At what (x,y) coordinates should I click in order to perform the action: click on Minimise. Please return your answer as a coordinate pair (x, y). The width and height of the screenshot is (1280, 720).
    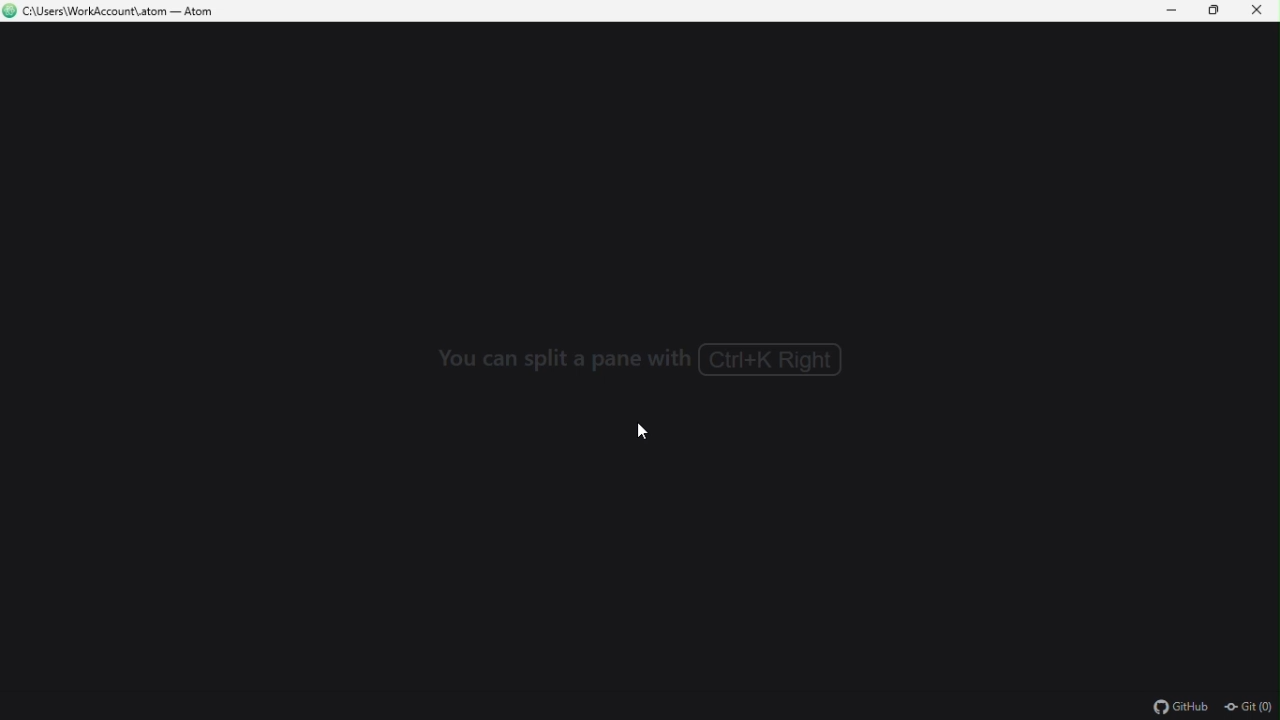
    Looking at the image, I should click on (1173, 11).